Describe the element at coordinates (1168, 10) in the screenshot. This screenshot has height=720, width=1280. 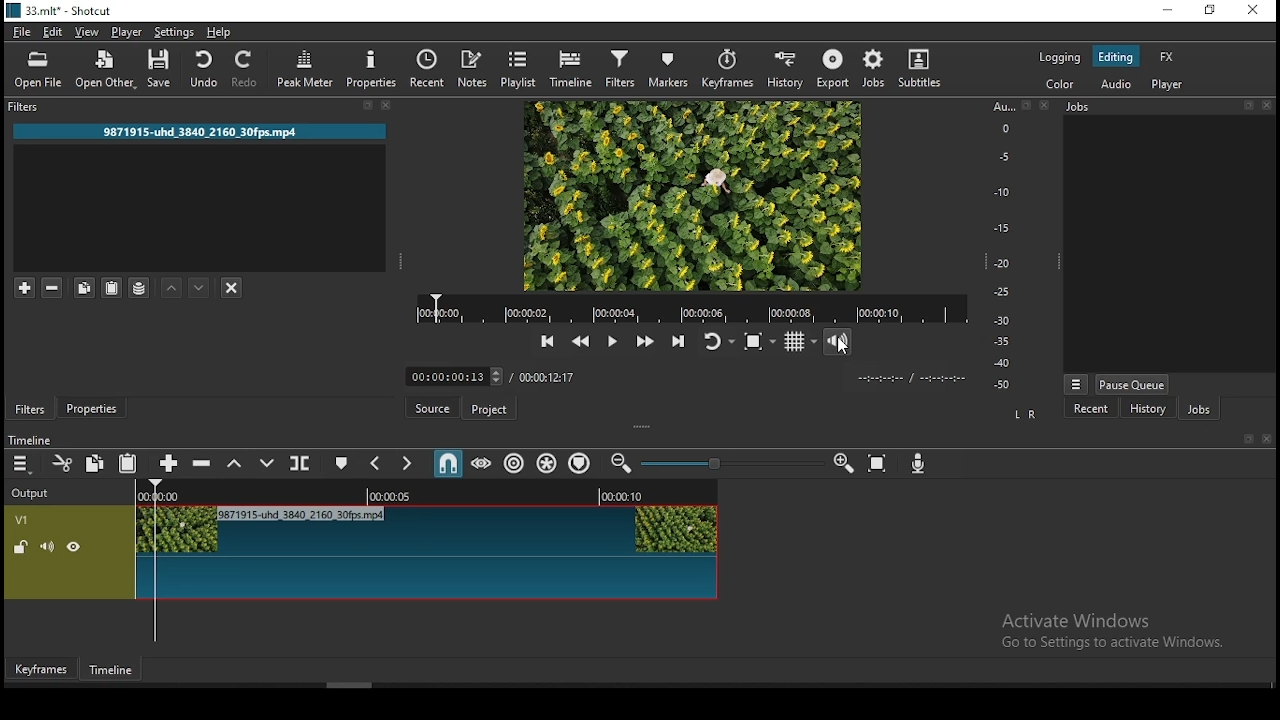
I see `minimize` at that location.